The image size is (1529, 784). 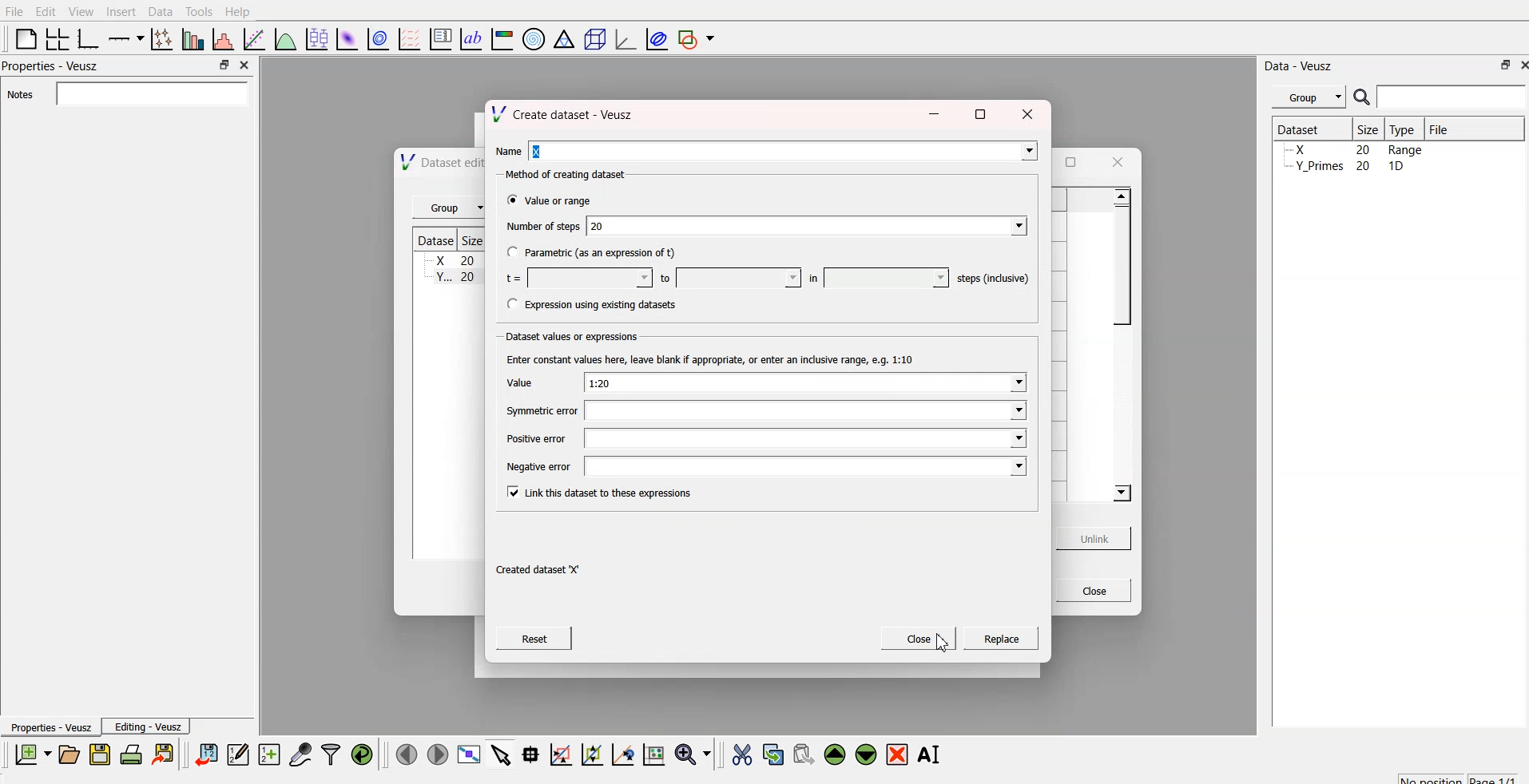 I want to click on capture a dataset, so click(x=300, y=754).